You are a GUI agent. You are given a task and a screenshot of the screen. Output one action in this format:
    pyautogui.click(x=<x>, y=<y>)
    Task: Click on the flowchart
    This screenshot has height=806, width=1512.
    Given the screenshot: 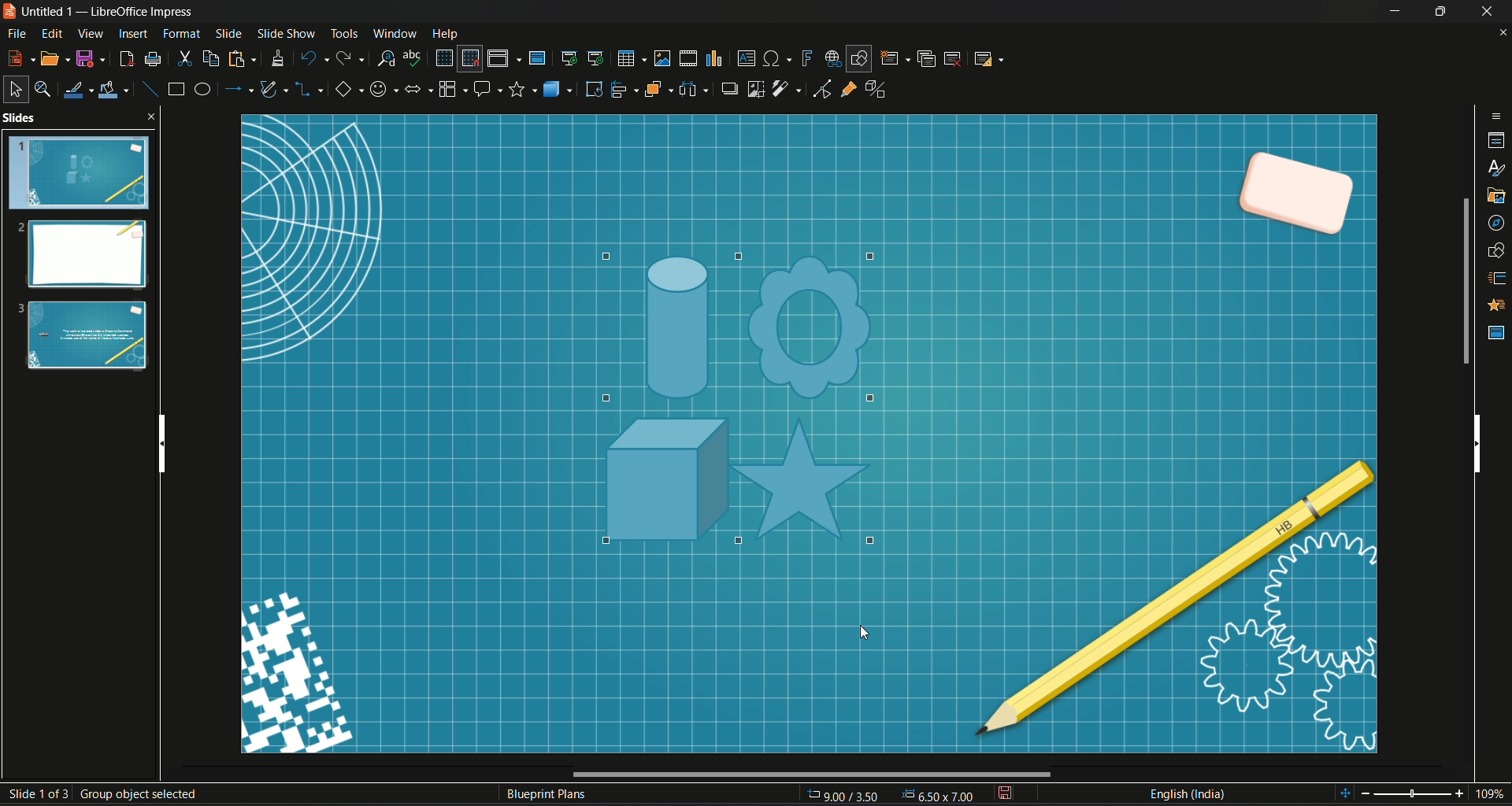 What is the action you would take?
    pyautogui.click(x=451, y=89)
    